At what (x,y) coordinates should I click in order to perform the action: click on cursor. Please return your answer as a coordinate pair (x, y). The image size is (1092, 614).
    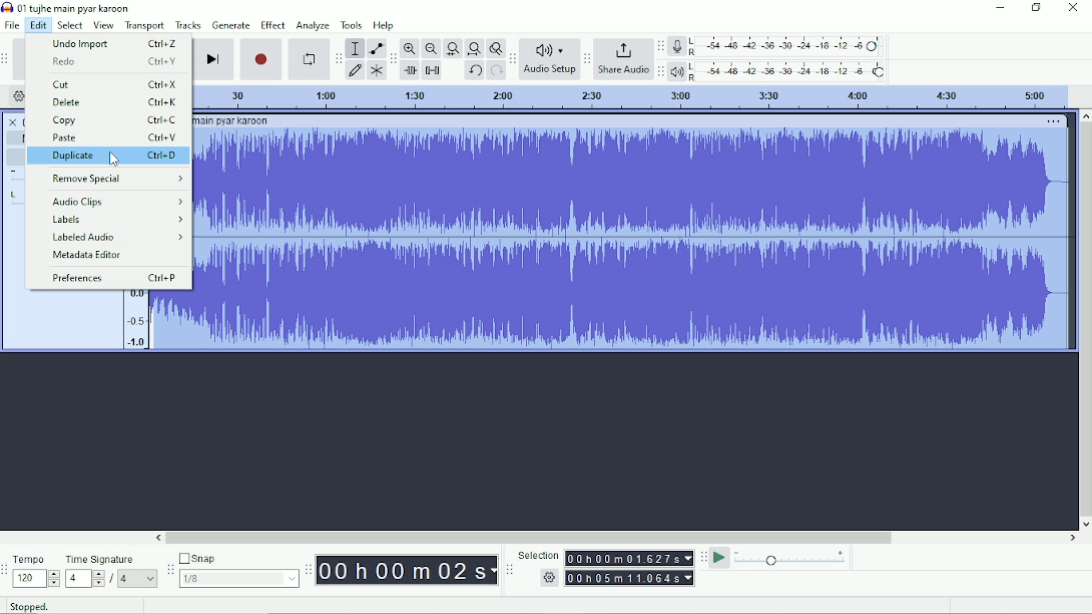
    Looking at the image, I should click on (116, 161).